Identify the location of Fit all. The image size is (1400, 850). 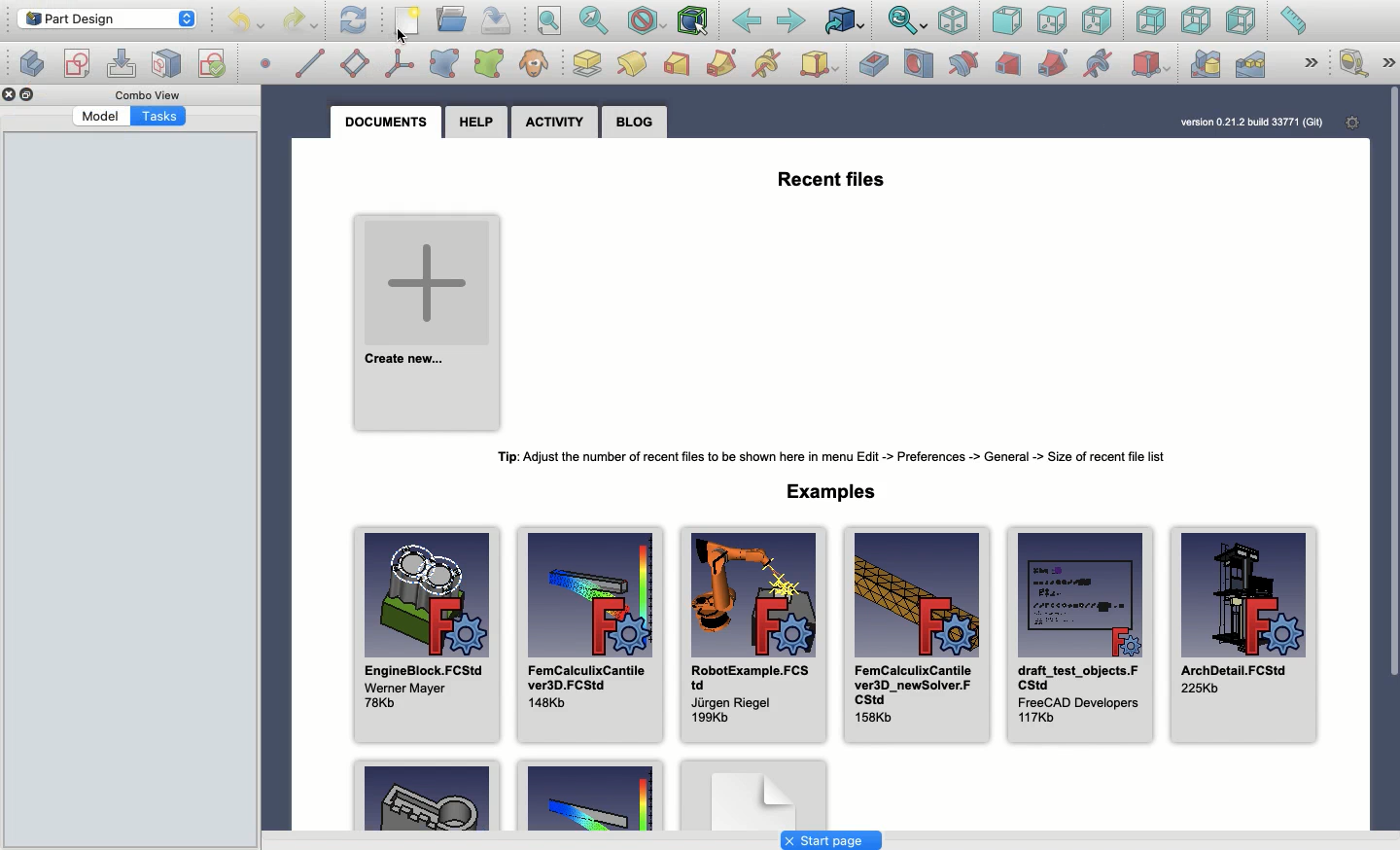
(547, 22).